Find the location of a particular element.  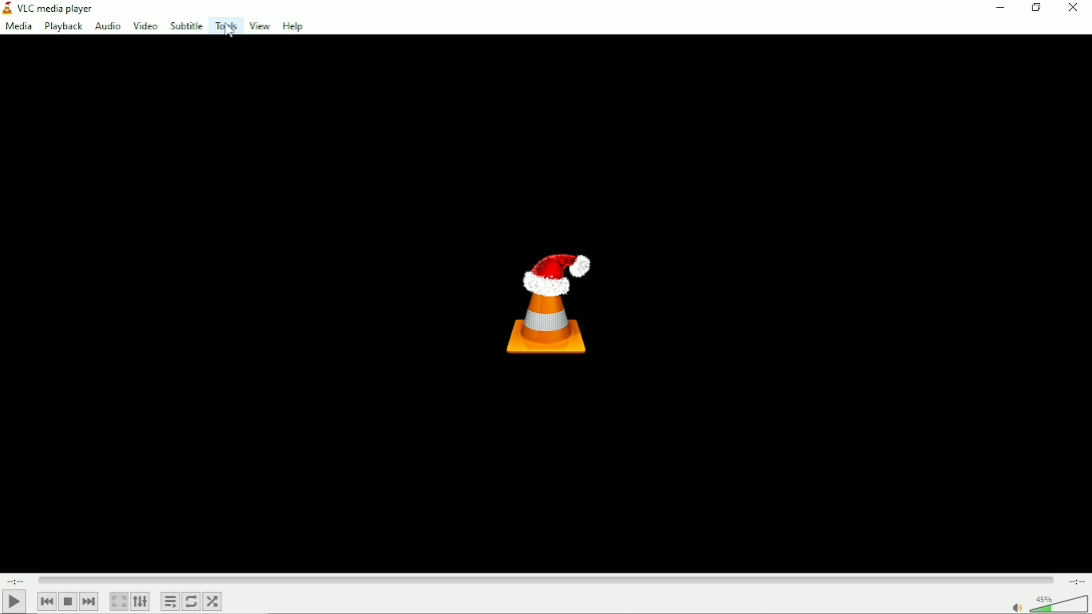

Cursor is located at coordinates (230, 33).